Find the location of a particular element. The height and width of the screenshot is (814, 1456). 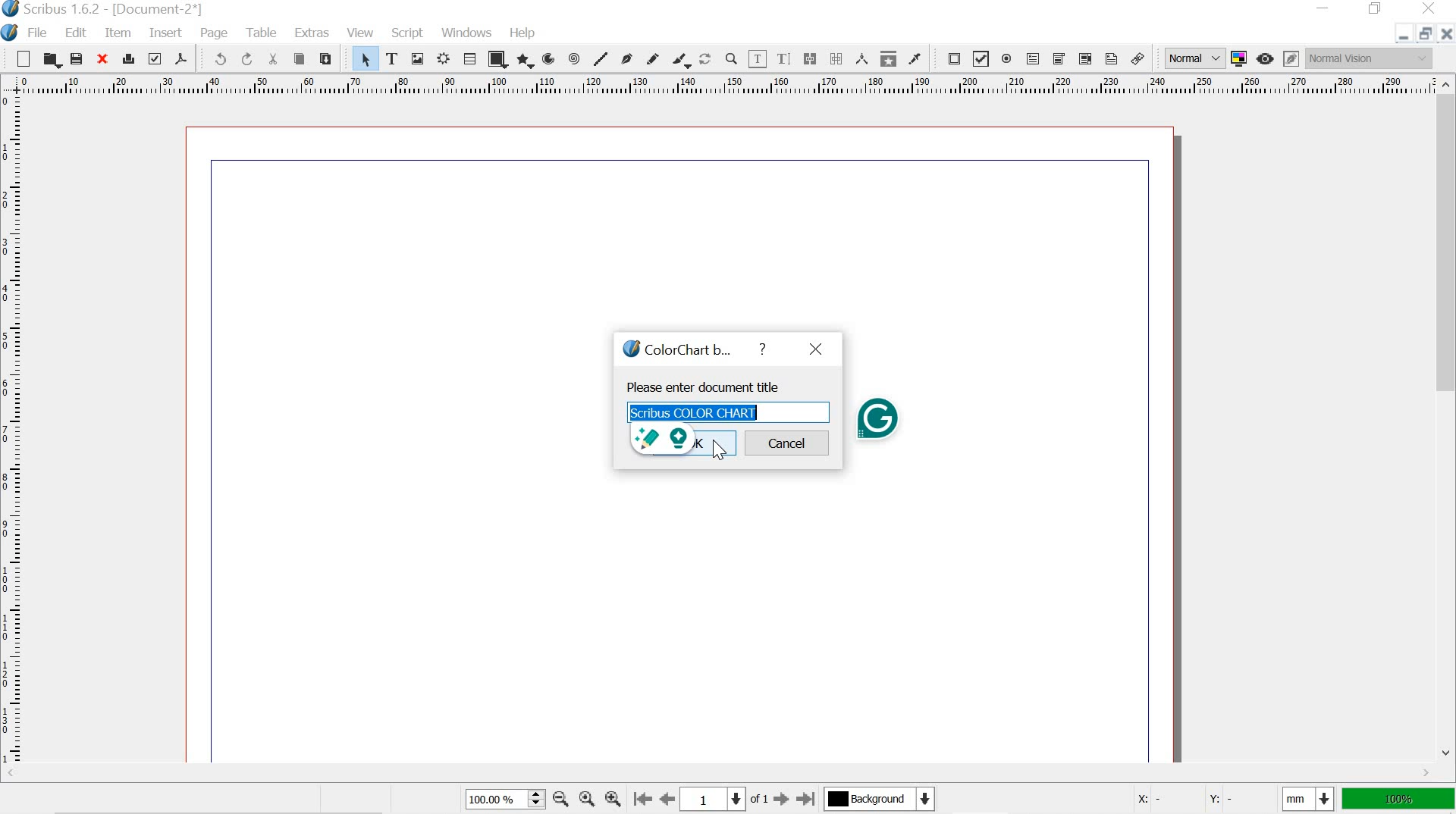

Grammarly is located at coordinates (877, 418).